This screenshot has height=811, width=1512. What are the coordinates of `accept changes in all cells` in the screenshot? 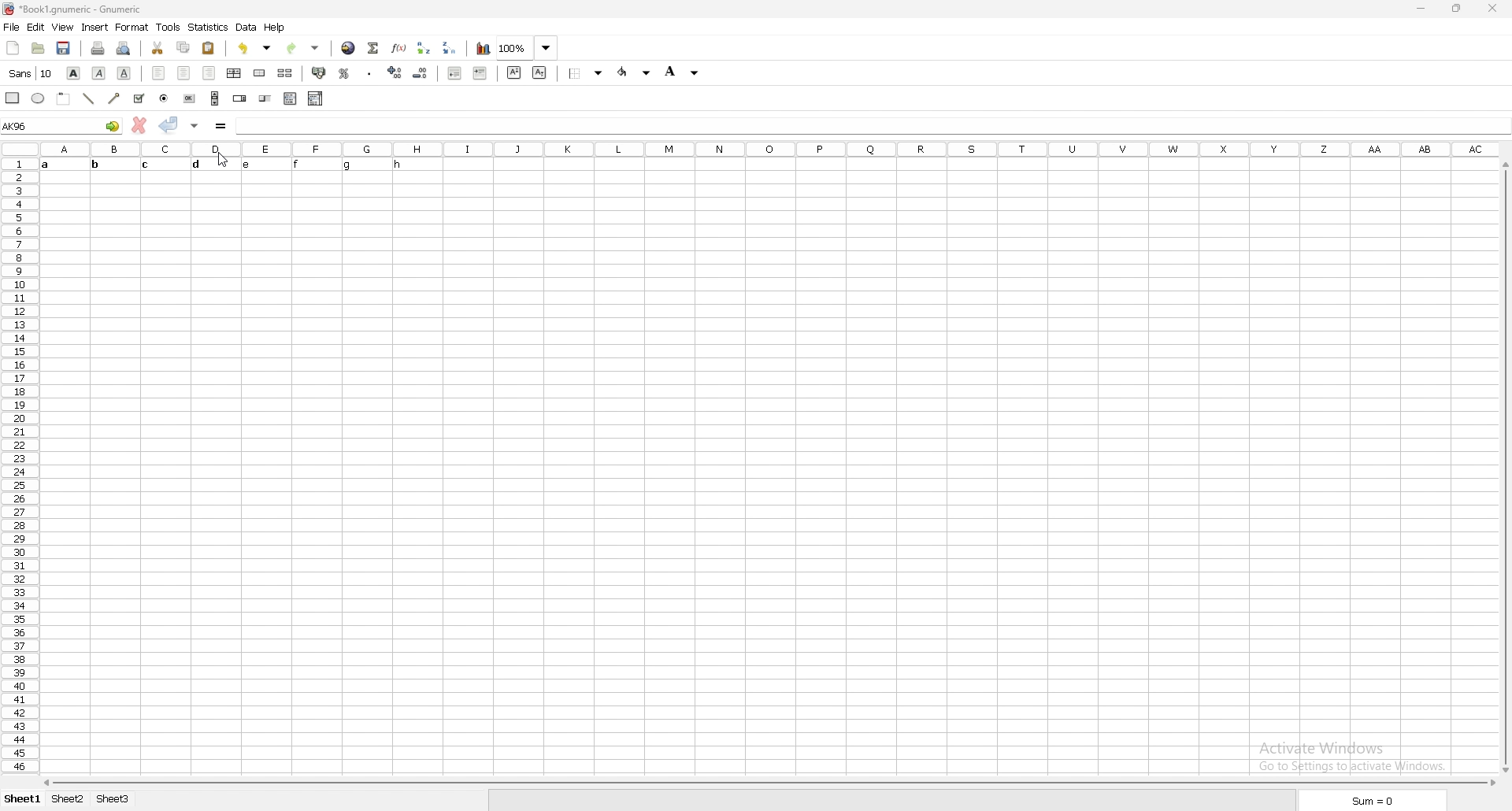 It's located at (196, 127).